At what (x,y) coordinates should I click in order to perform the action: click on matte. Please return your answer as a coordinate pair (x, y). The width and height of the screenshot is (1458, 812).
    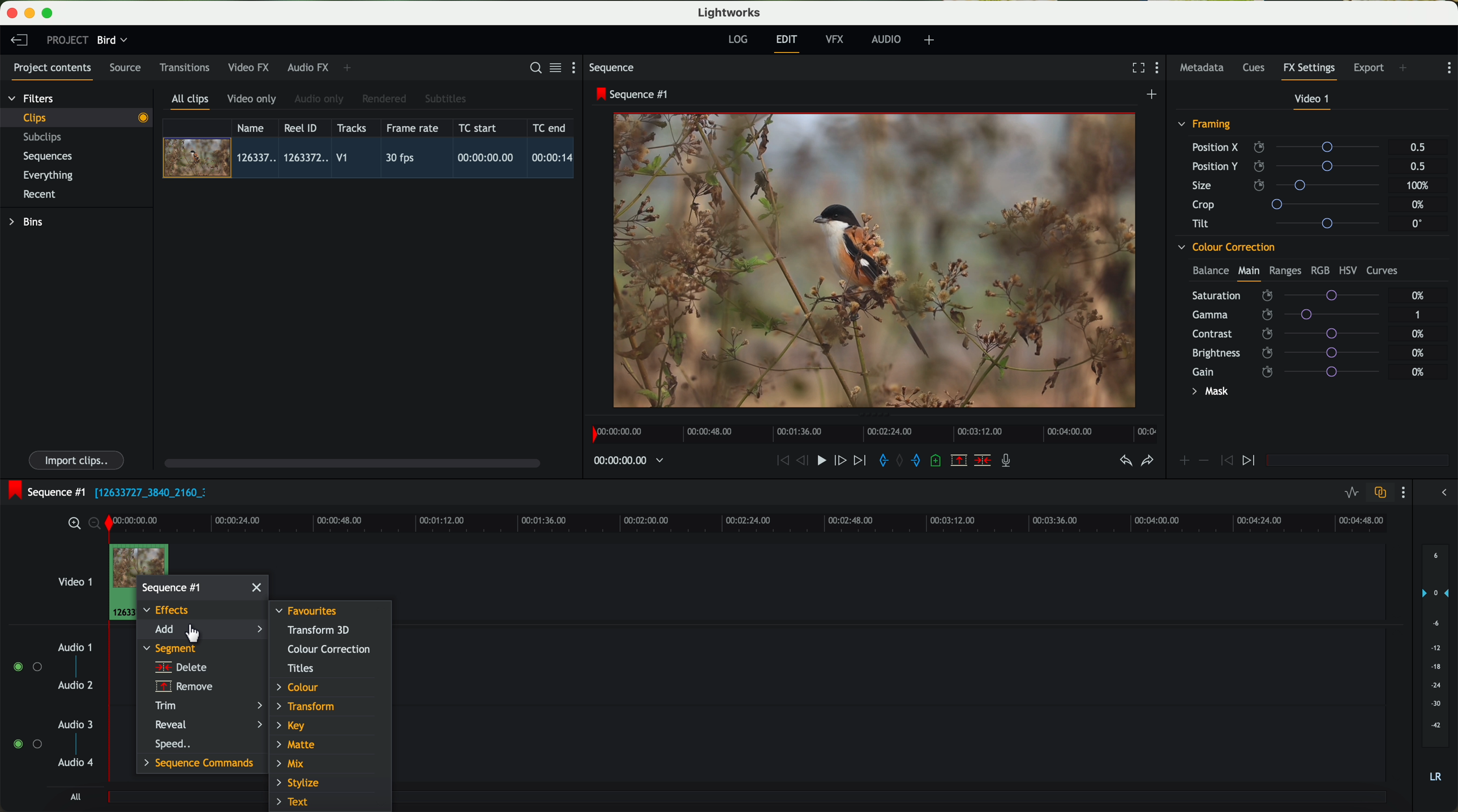
    Looking at the image, I should click on (296, 744).